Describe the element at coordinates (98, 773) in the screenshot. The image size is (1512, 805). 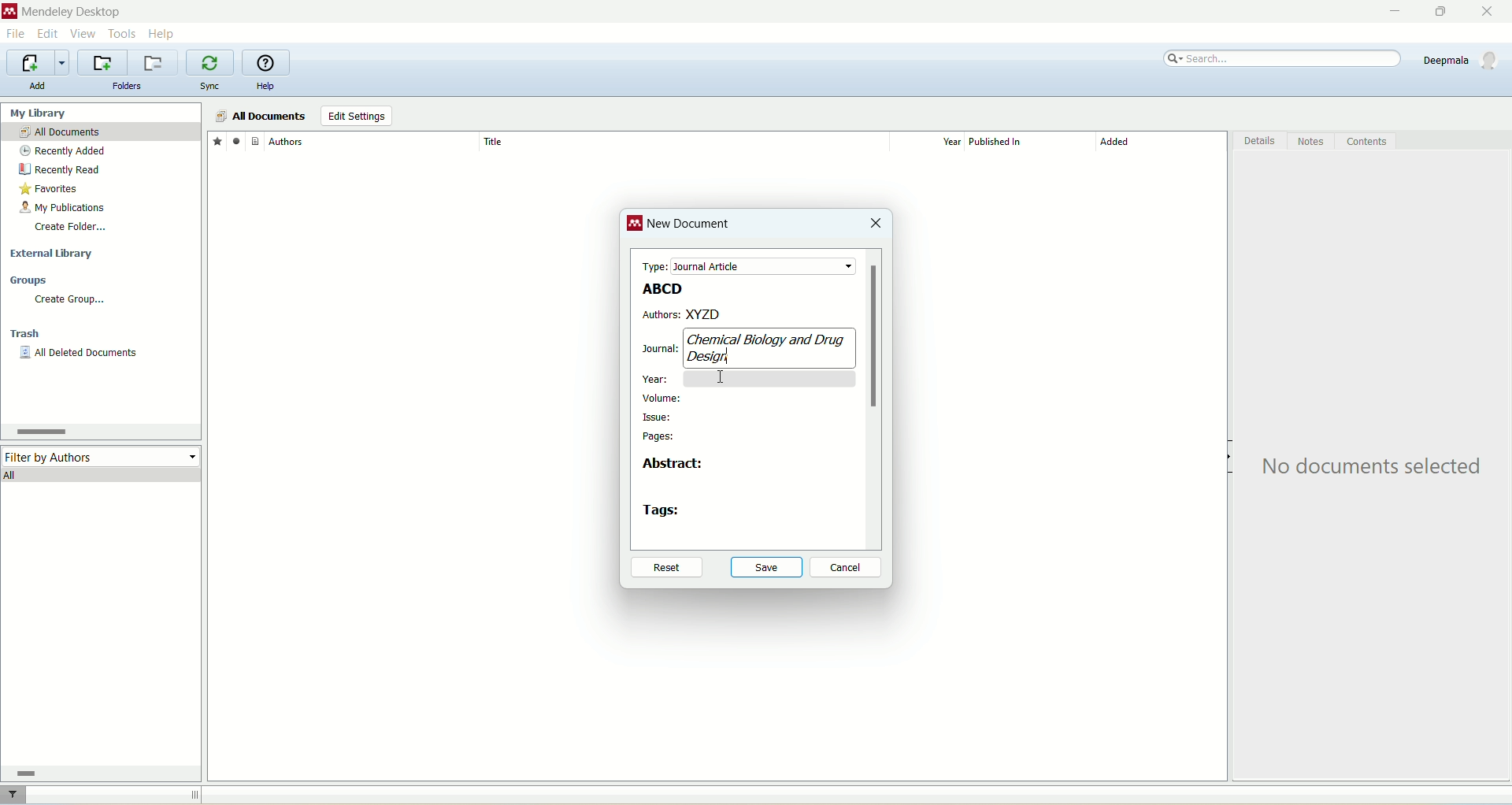
I see `horizontal scroll bar` at that location.